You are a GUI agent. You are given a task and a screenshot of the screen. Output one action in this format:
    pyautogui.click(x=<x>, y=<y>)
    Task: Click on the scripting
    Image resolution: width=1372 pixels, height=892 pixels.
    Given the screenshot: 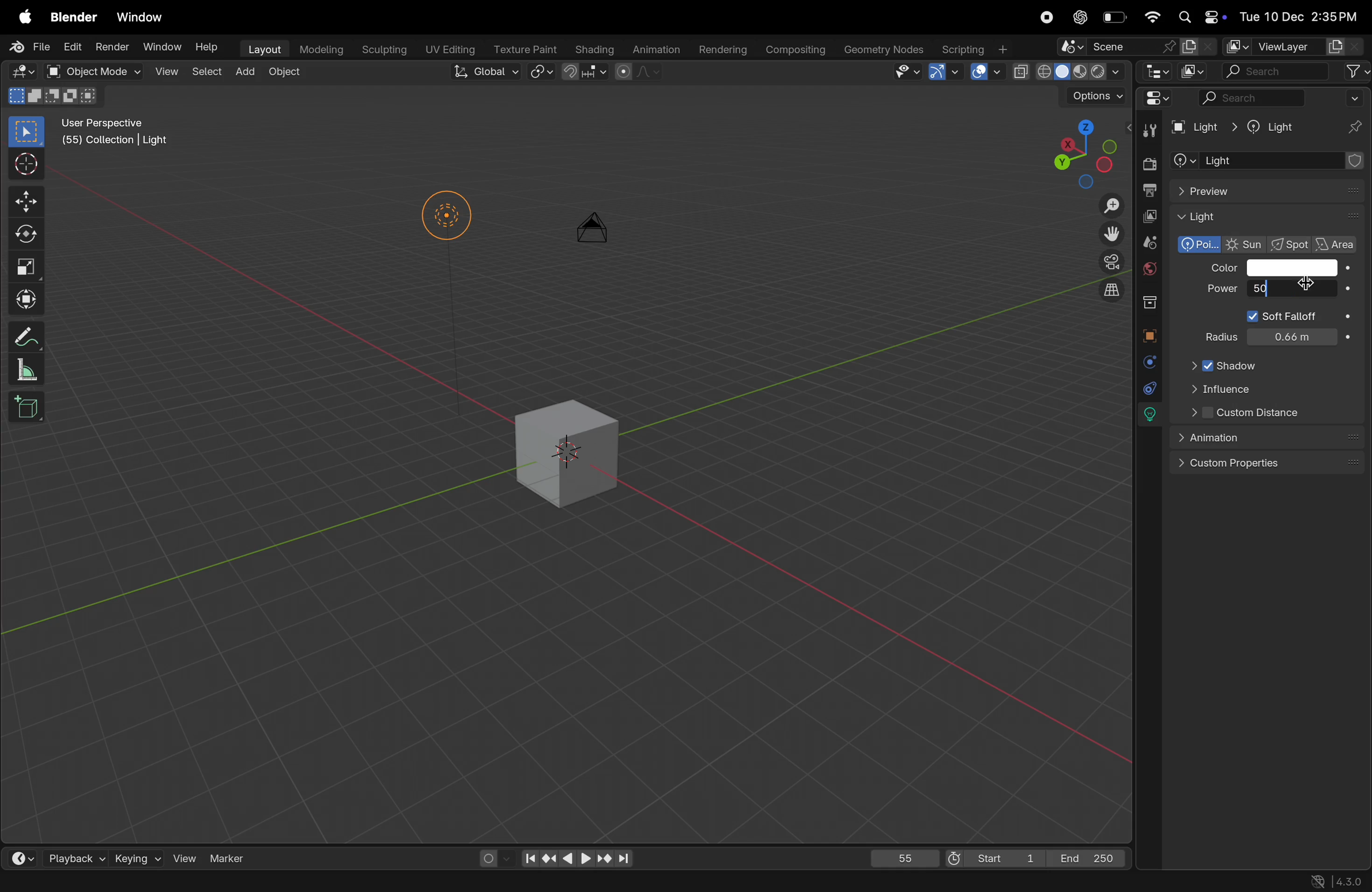 What is the action you would take?
    pyautogui.click(x=976, y=50)
    